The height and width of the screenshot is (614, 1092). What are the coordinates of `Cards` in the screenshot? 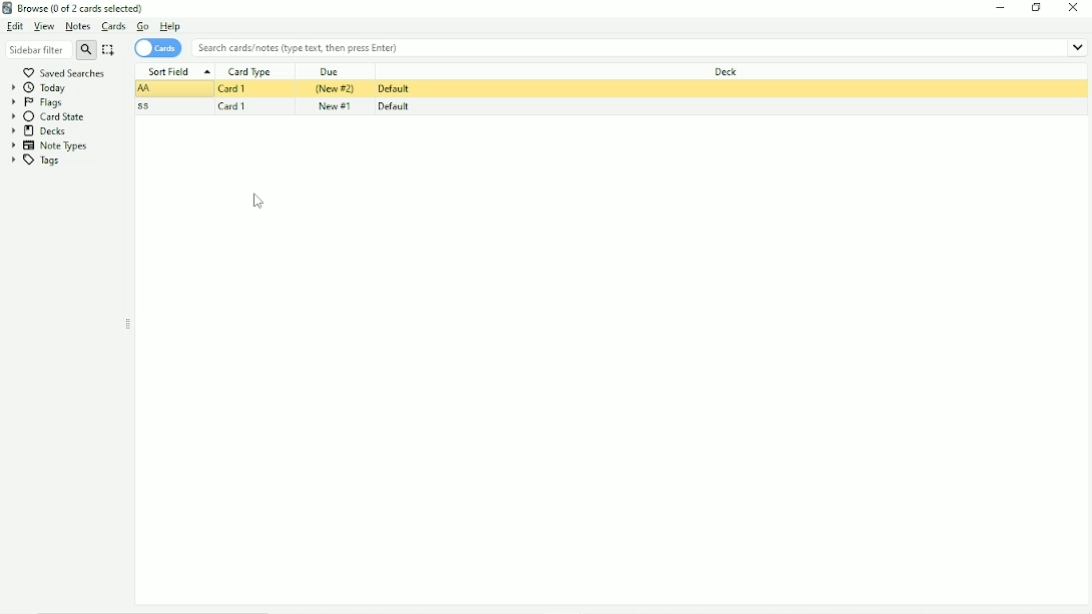 It's located at (158, 48).